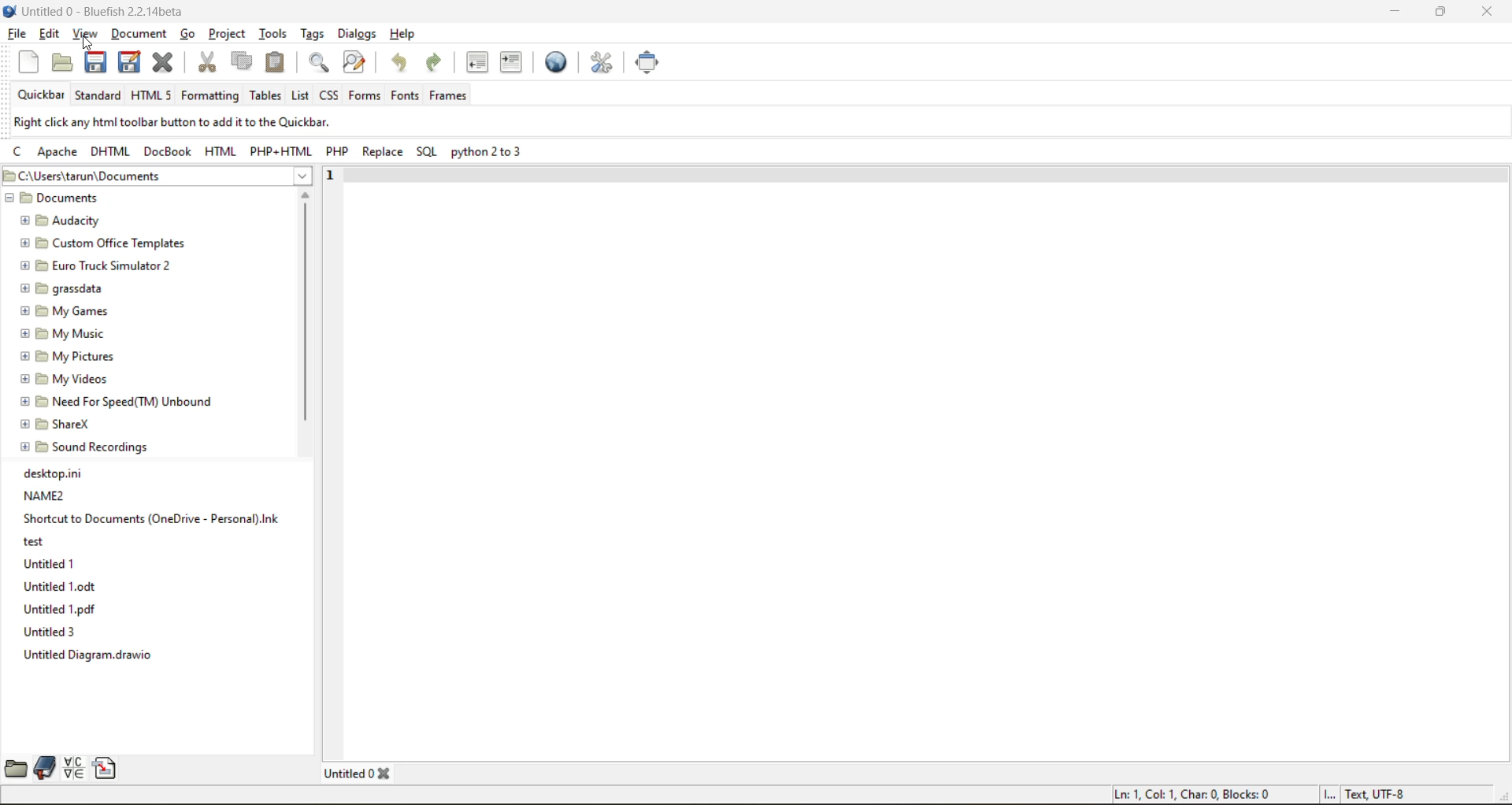 This screenshot has height=805, width=1512. What do you see at coordinates (67, 379) in the screenshot?
I see `My Videos` at bounding box center [67, 379].